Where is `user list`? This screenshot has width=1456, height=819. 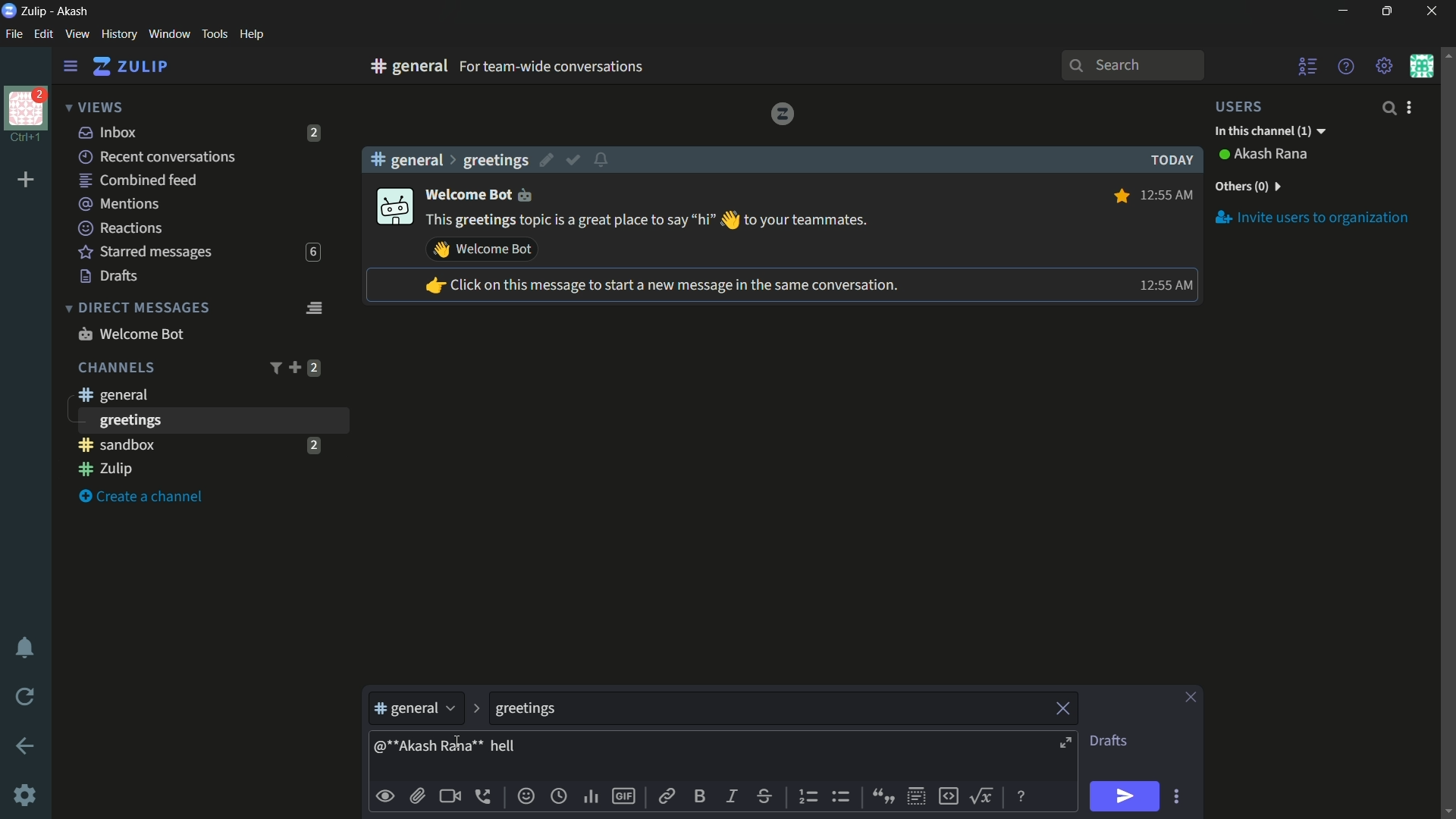
user list is located at coordinates (1309, 66).